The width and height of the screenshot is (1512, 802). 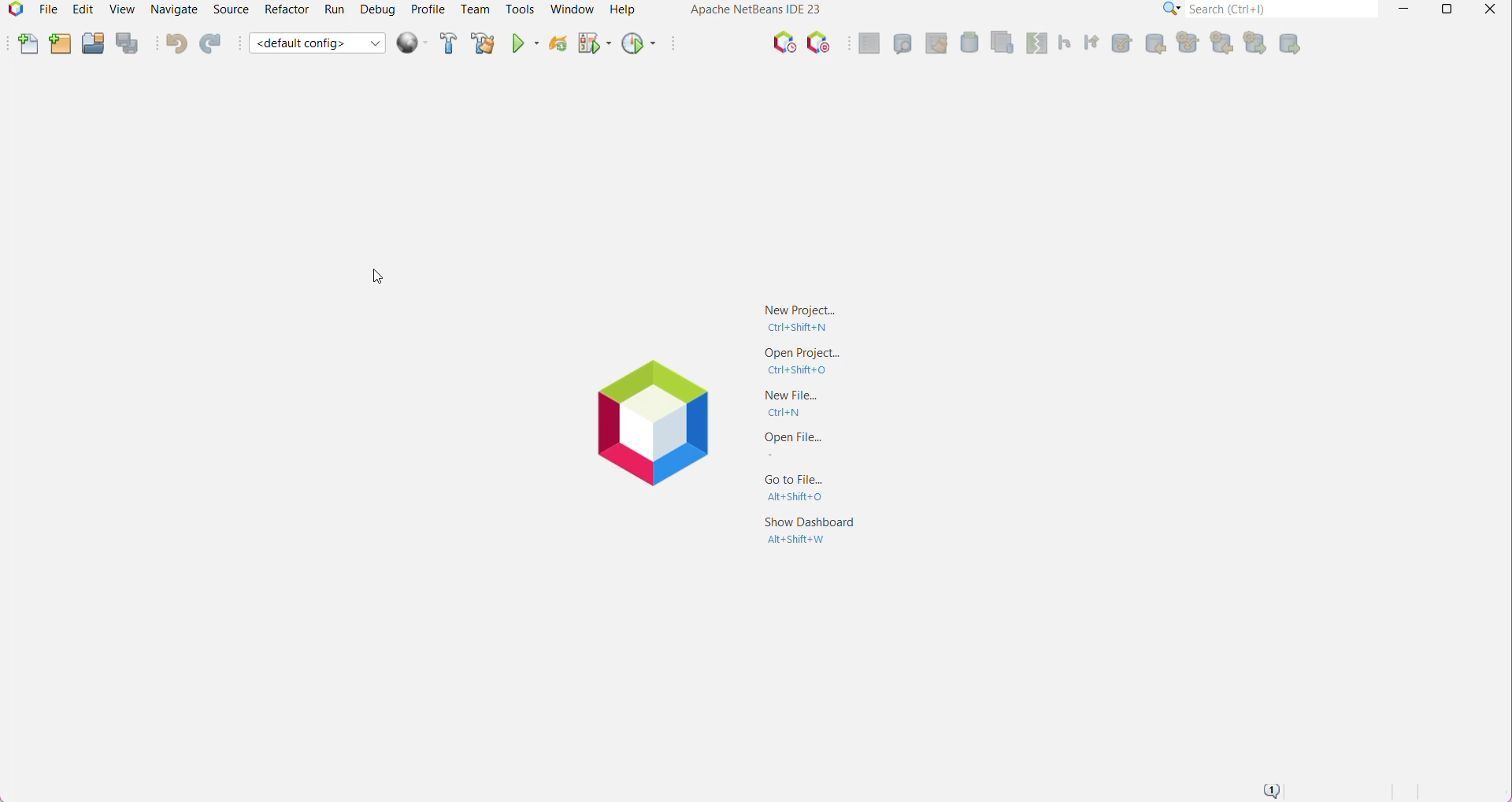 I want to click on Application Name, so click(x=754, y=9).